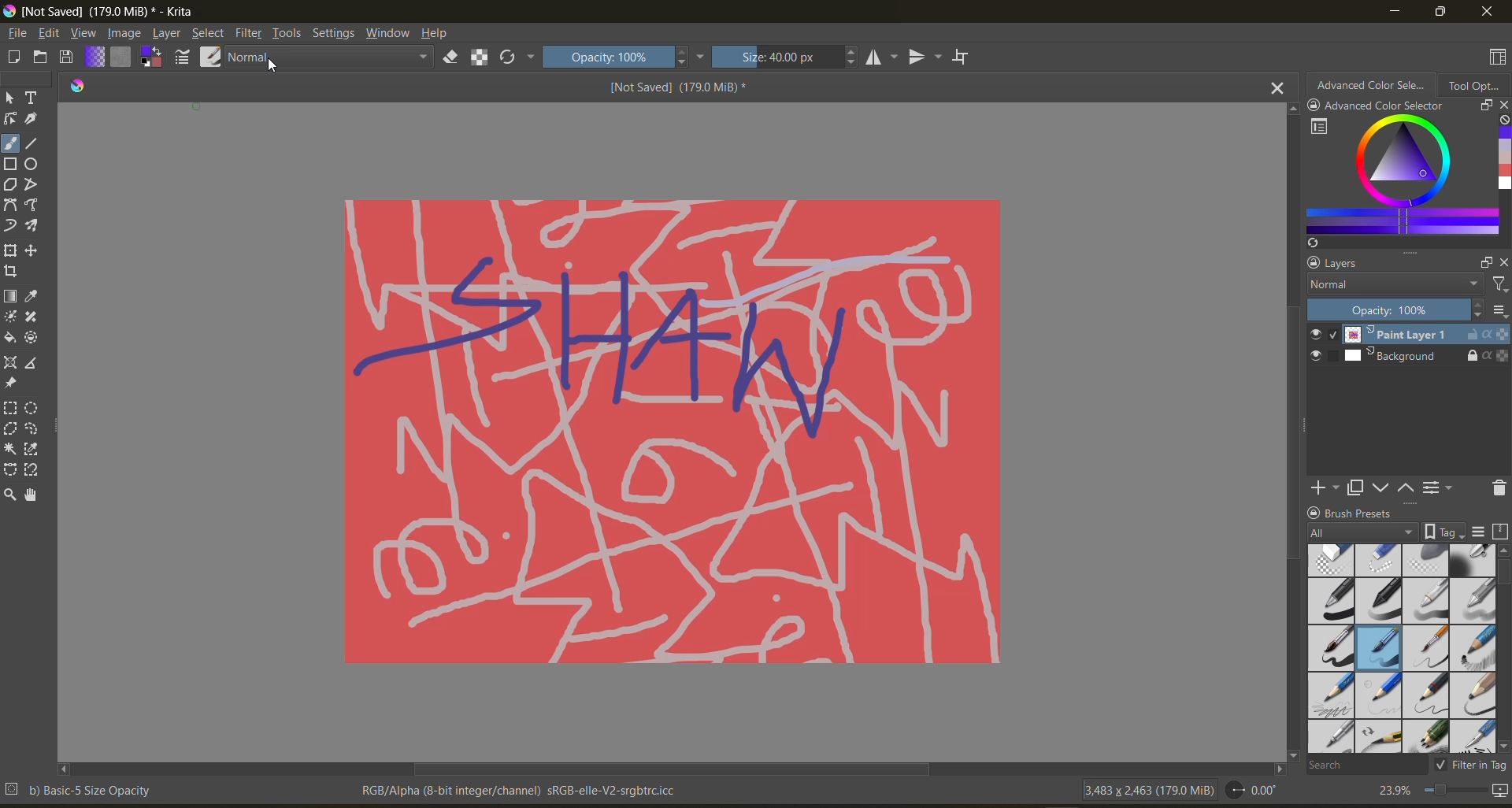 The width and height of the screenshot is (1512, 808). Describe the element at coordinates (1488, 12) in the screenshot. I see `close` at that location.